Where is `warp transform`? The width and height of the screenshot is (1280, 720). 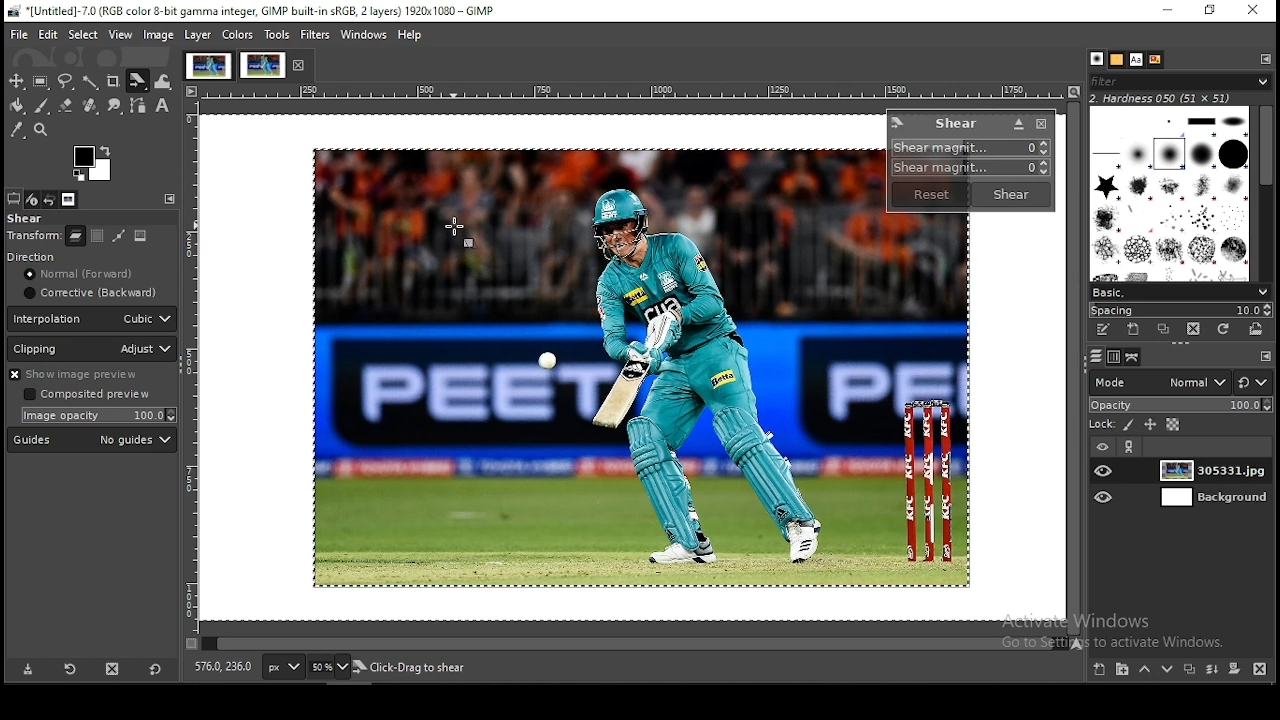
warp transform is located at coordinates (167, 82).